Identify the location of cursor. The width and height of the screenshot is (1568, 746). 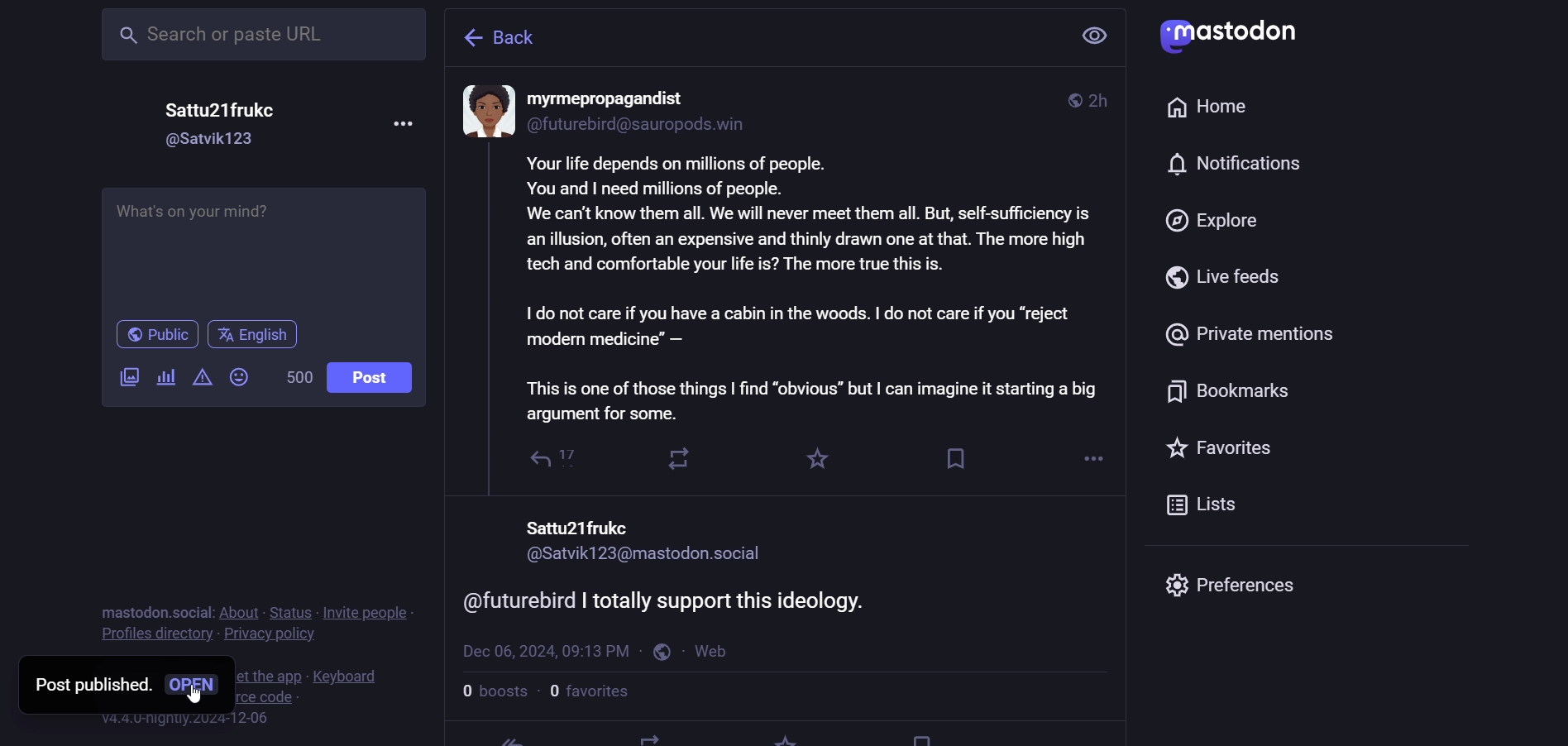
(195, 696).